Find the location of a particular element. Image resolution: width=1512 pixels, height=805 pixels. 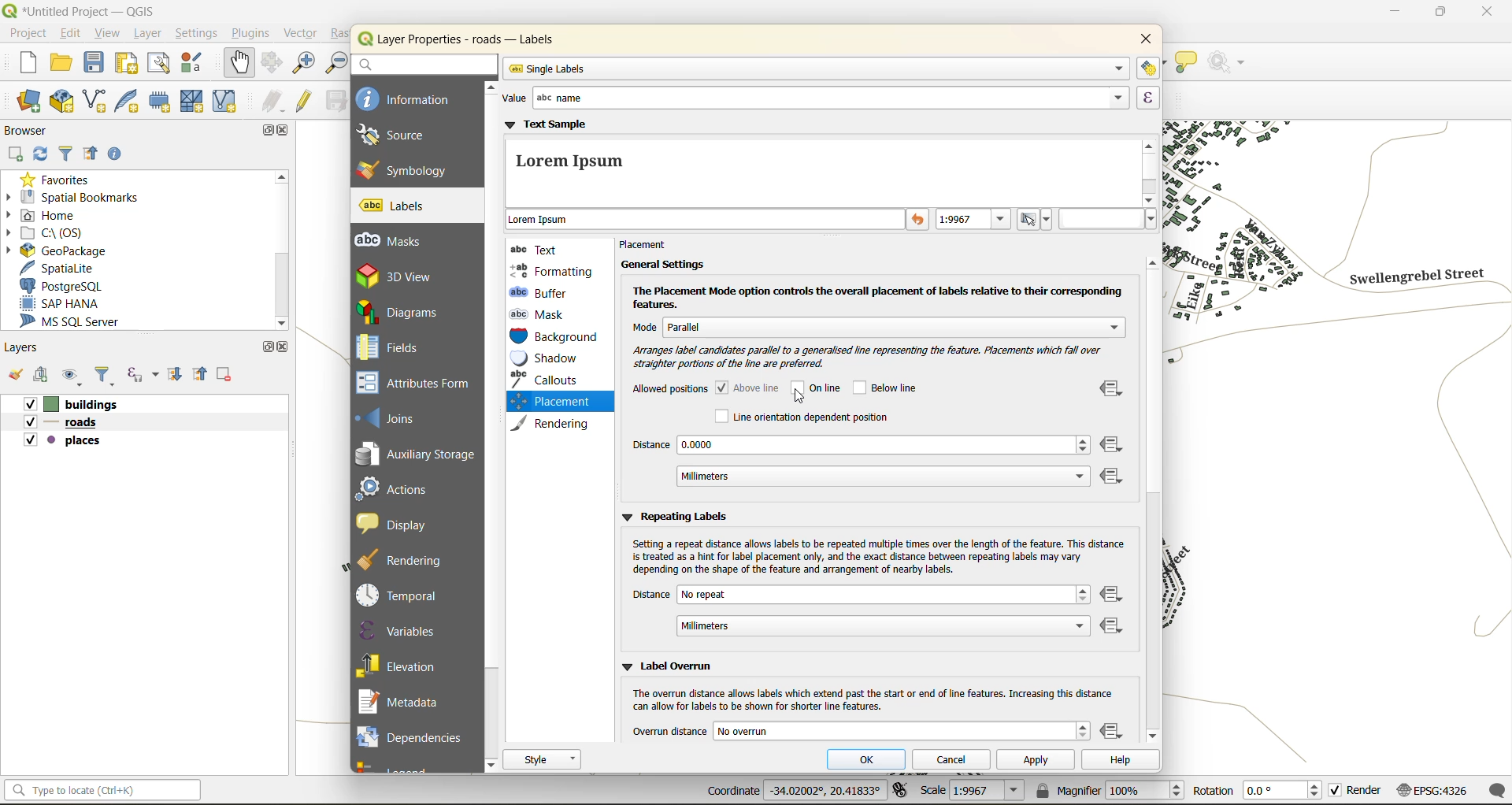

data defined override is located at coordinates (1114, 434).